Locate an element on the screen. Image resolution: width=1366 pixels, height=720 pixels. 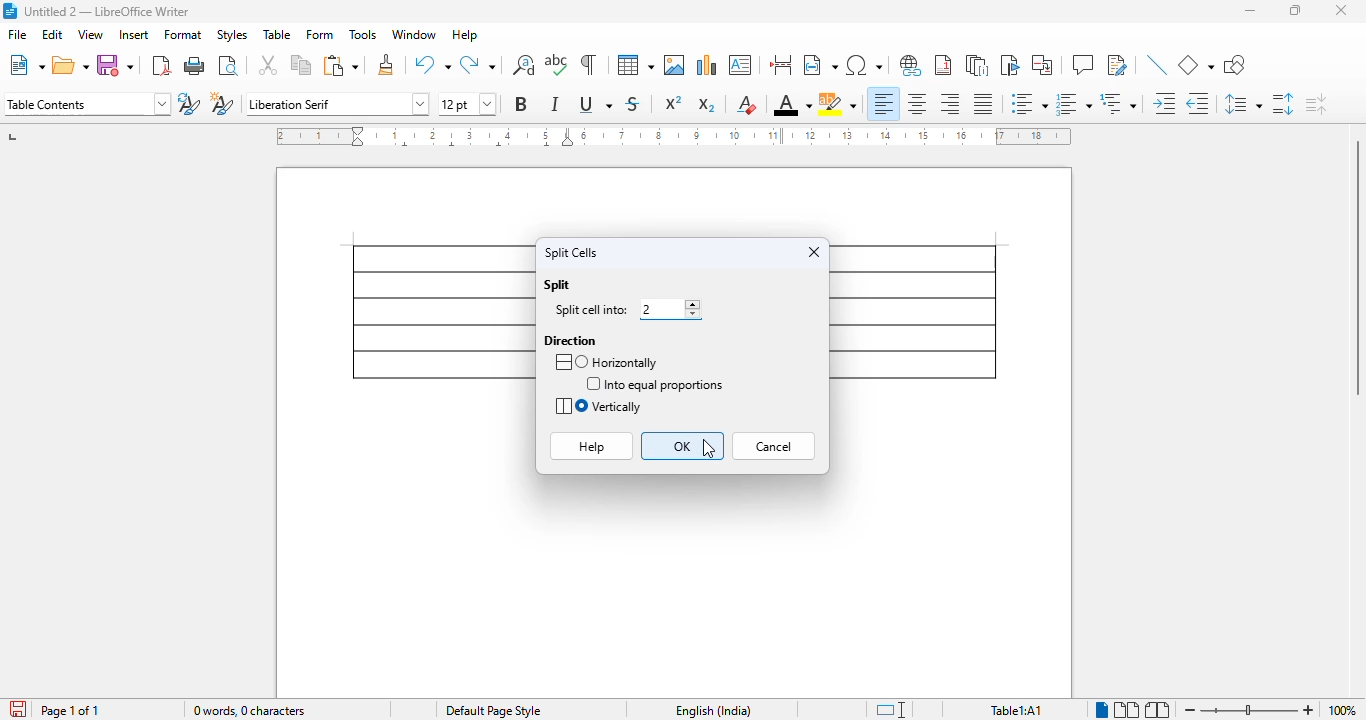
styles is located at coordinates (232, 35).